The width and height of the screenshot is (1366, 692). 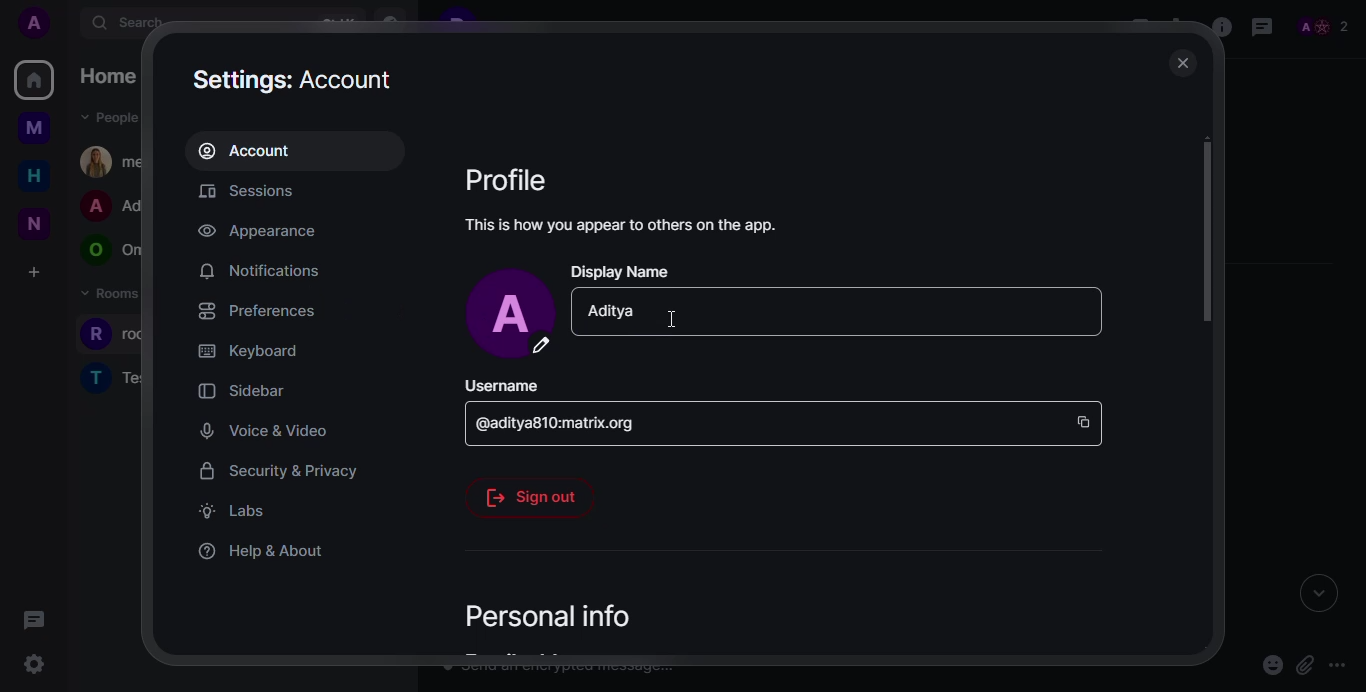 What do you see at coordinates (1221, 28) in the screenshot?
I see `info` at bounding box center [1221, 28].